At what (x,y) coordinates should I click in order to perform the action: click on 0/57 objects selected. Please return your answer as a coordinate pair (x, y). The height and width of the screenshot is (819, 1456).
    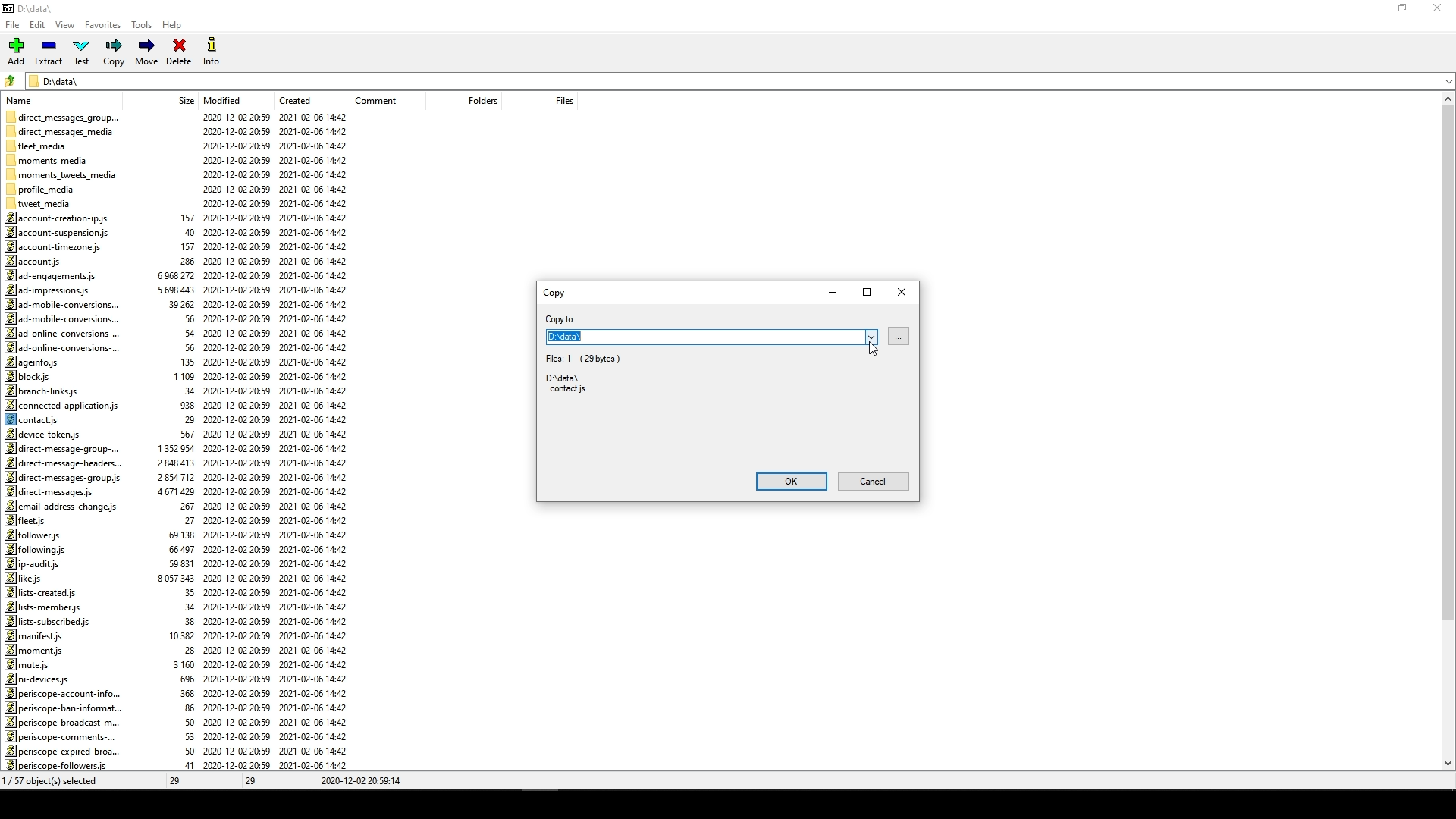
    Looking at the image, I should click on (64, 780).